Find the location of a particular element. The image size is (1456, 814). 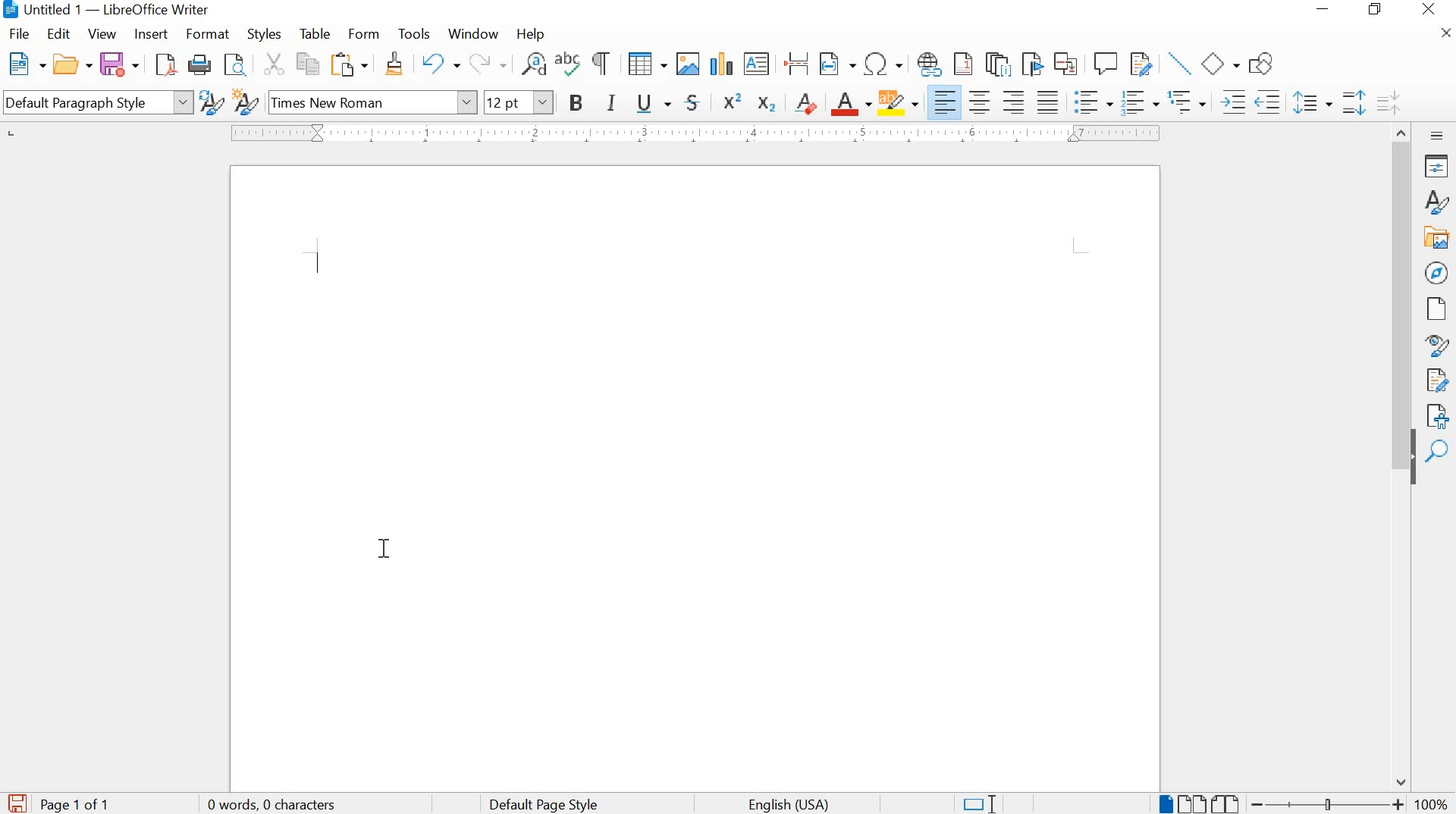

ALIGN RIGHT is located at coordinates (1016, 102).